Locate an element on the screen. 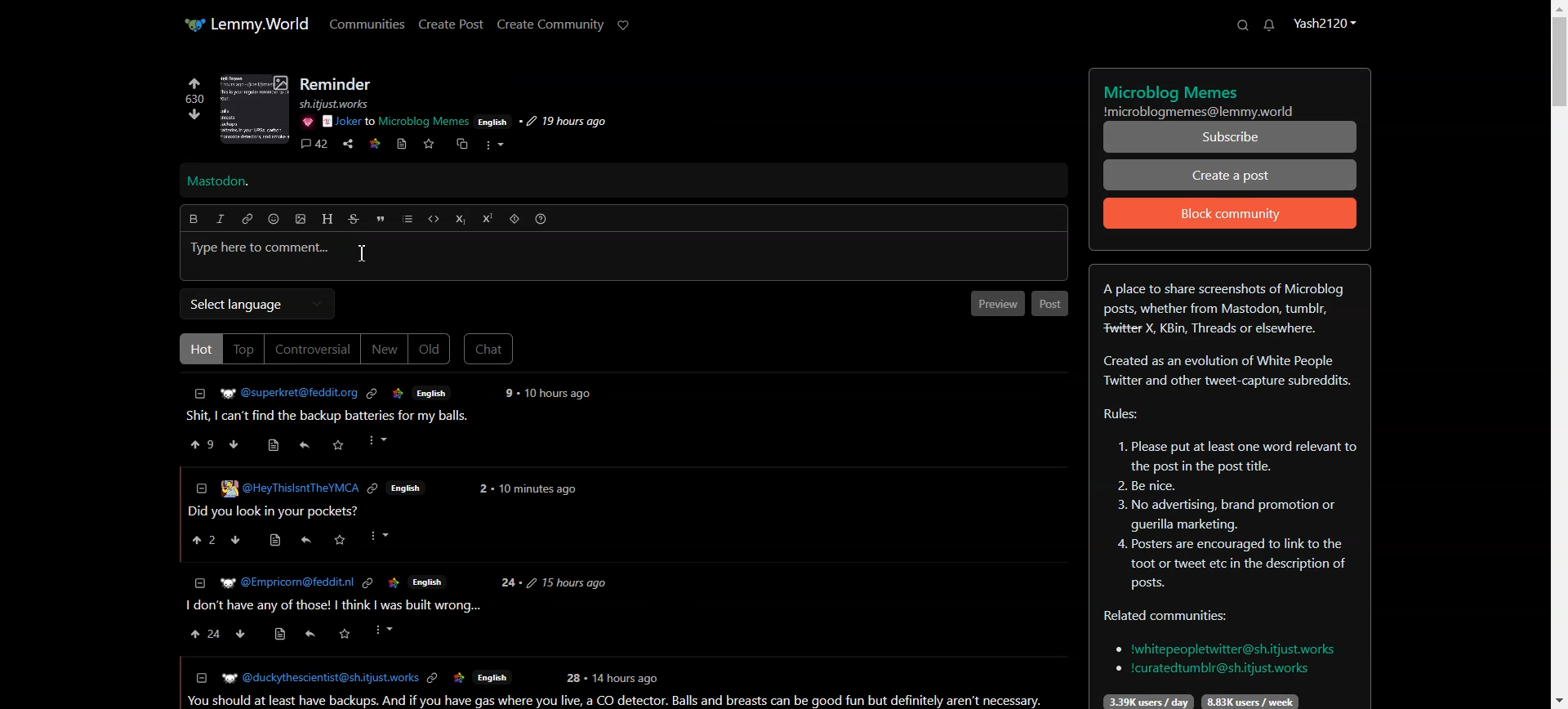 This screenshot has width=1568, height=709. Old is located at coordinates (430, 350).